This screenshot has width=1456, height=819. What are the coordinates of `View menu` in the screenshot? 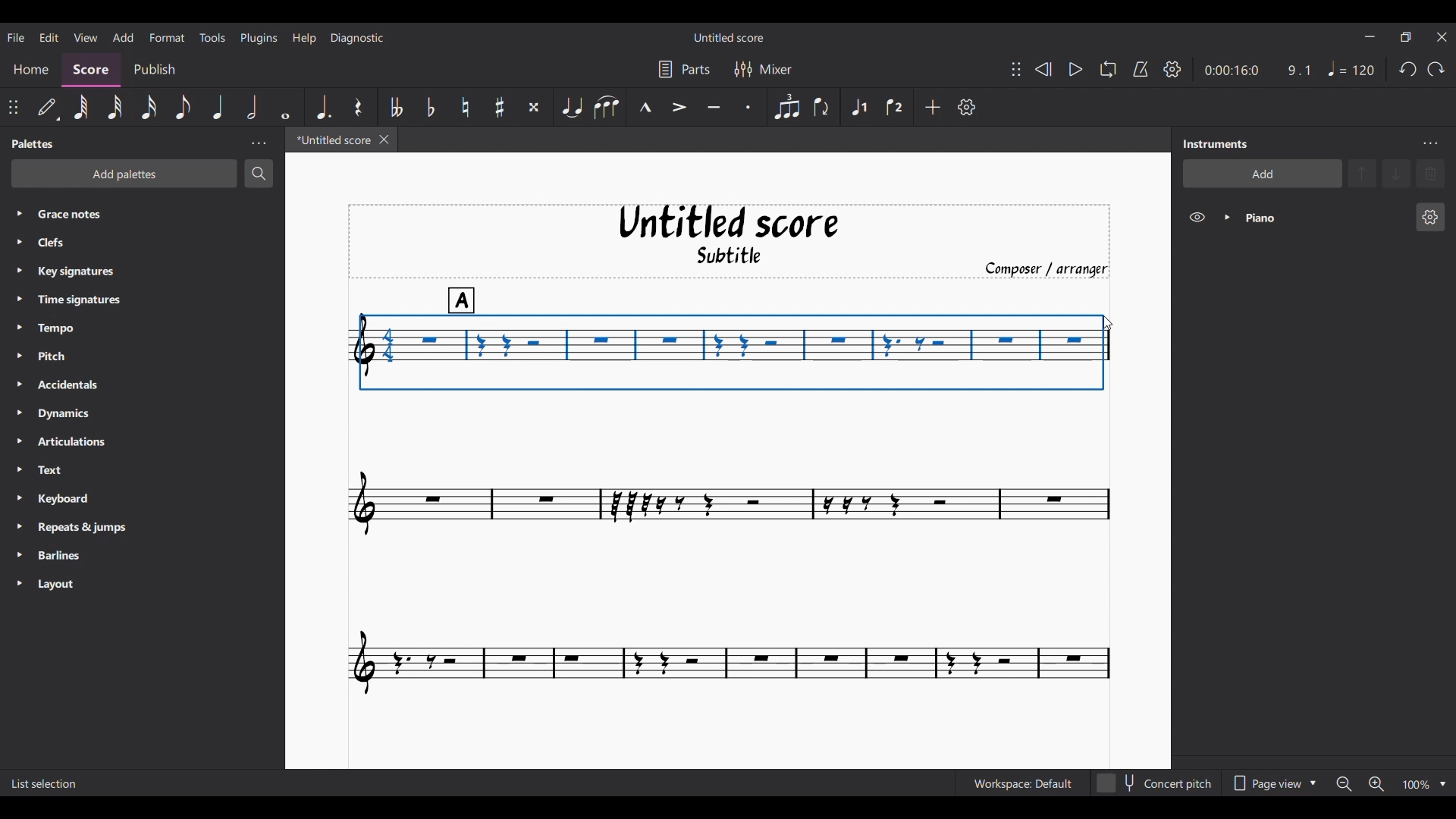 It's located at (84, 36).